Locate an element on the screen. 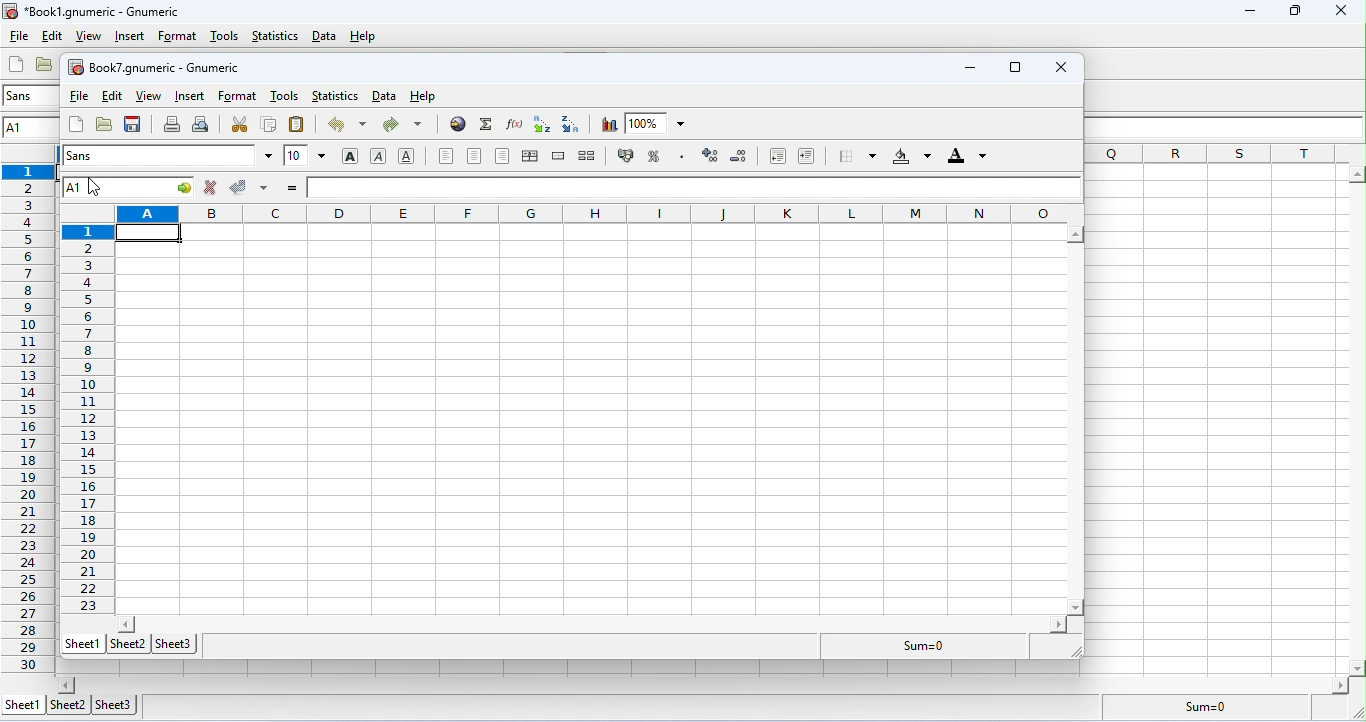 The height and width of the screenshot is (722, 1366). font style is located at coordinates (26, 95).